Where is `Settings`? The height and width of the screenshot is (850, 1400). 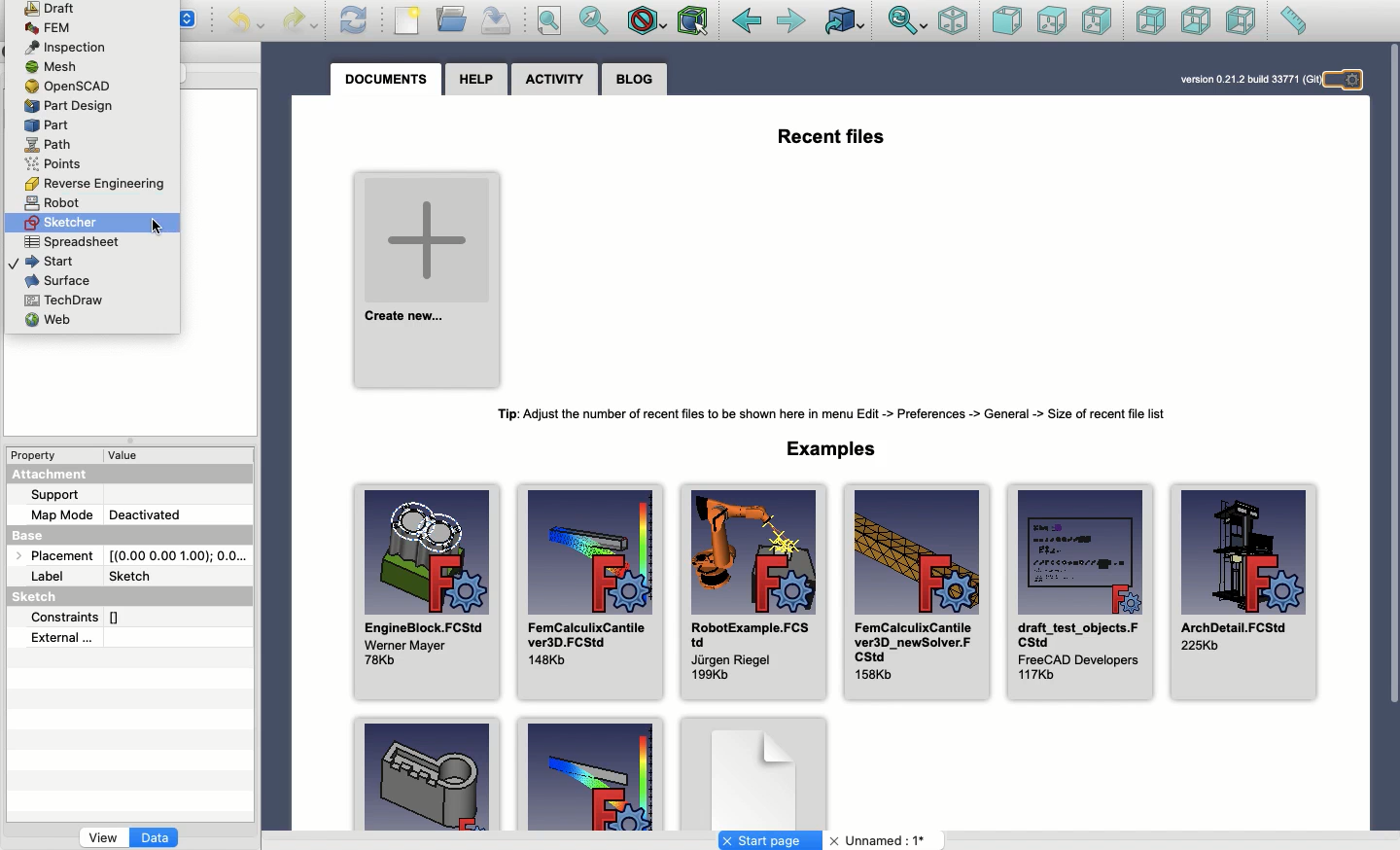 Settings is located at coordinates (1348, 81).